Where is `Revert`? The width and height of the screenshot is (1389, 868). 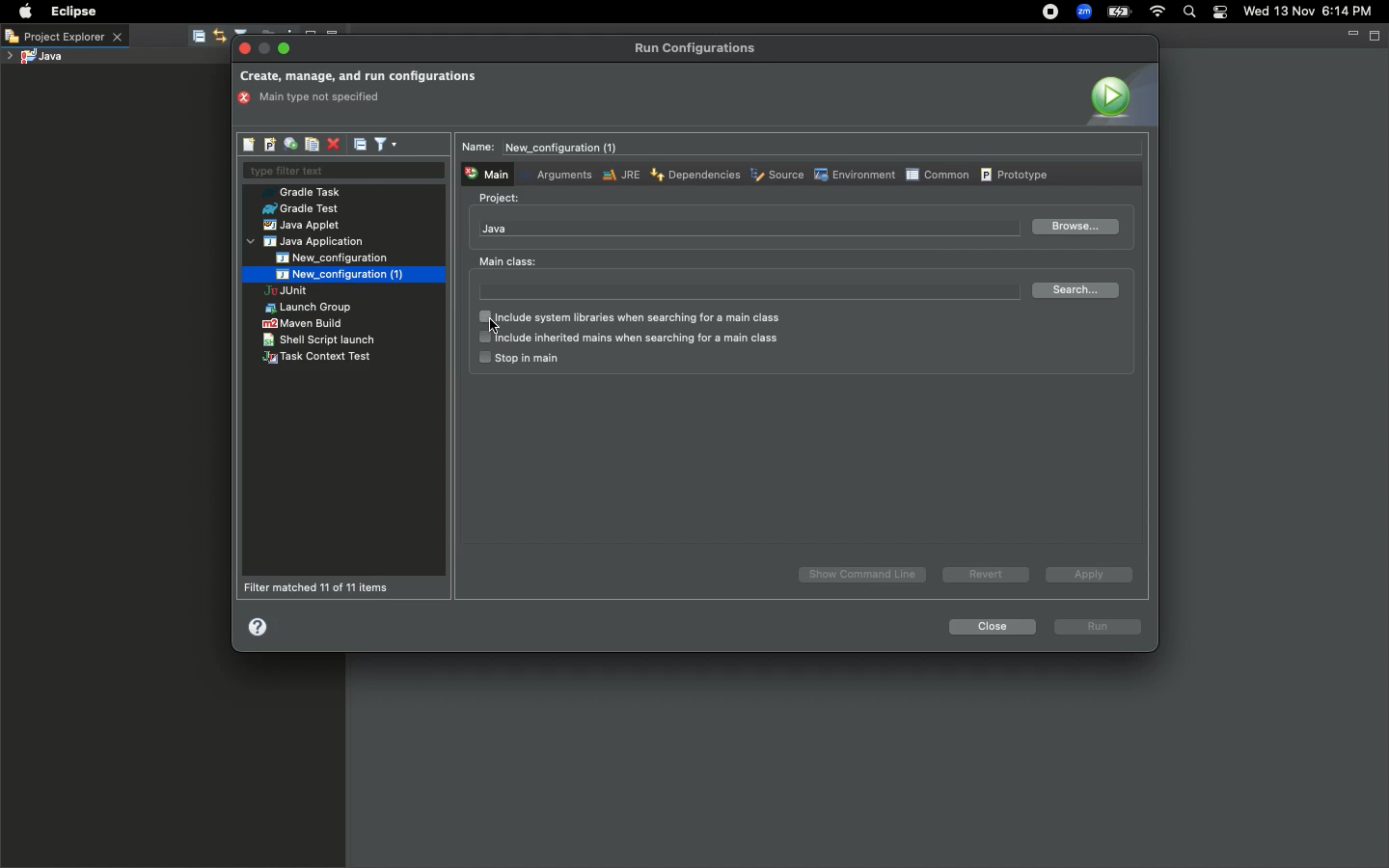
Revert is located at coordinates (983, 574).